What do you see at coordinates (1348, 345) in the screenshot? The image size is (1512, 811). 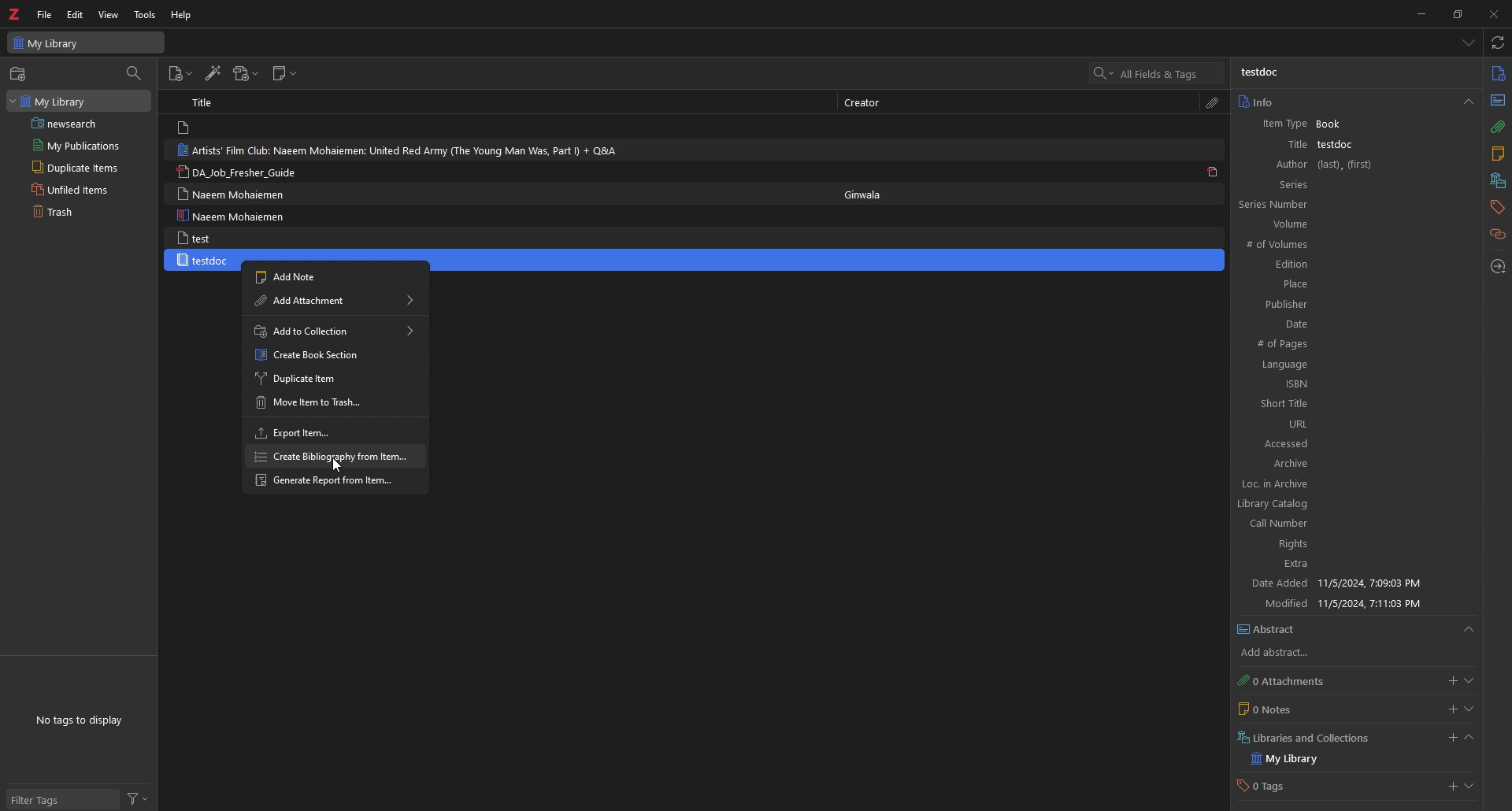 I see `# of Pages` at bounding box center [1348, 345].